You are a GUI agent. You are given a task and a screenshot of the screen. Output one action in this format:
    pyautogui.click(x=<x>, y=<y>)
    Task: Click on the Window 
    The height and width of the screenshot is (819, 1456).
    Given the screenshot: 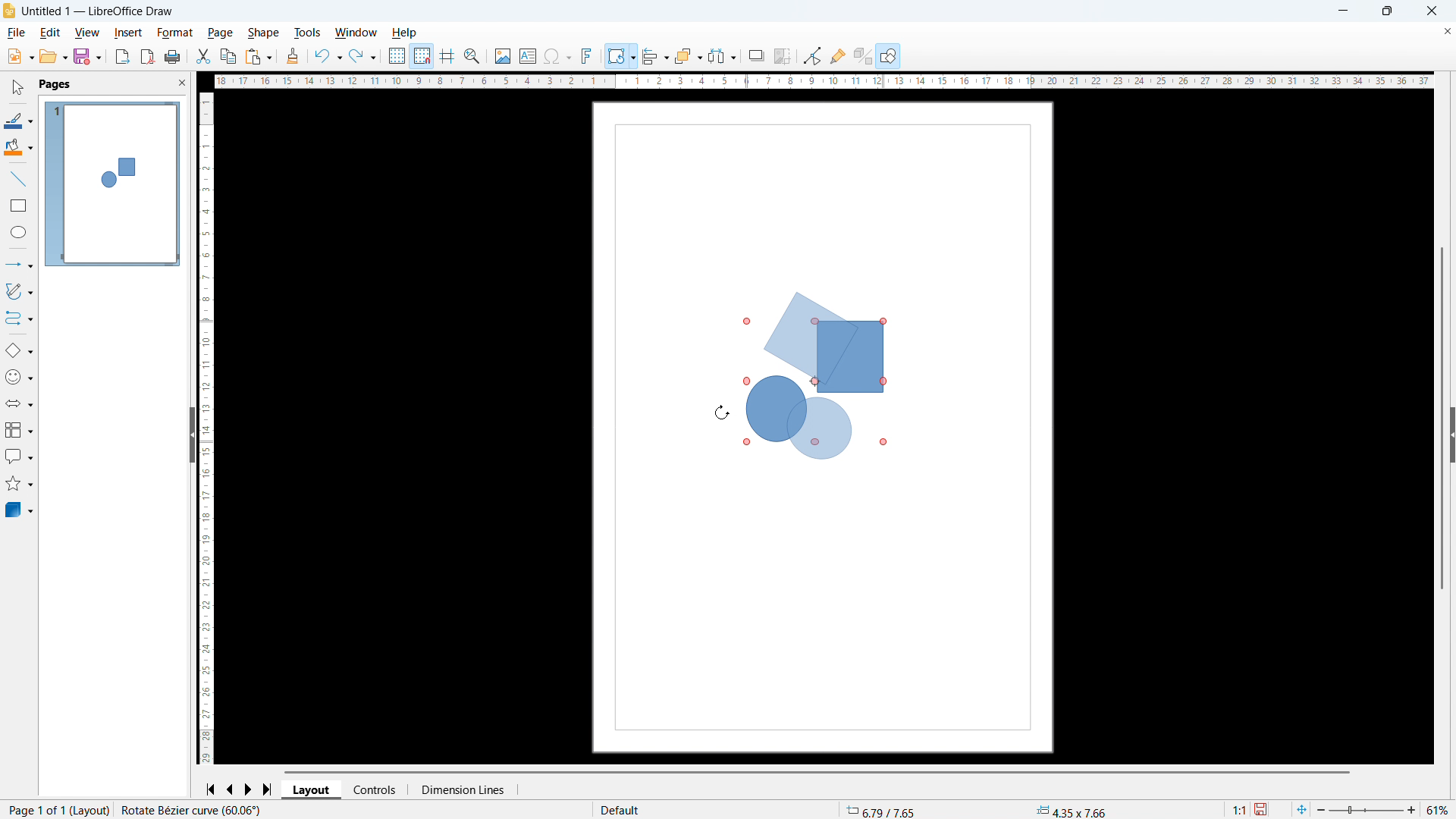 What is the action you would take?
    pyautogui.click(x=355, y=33)
    